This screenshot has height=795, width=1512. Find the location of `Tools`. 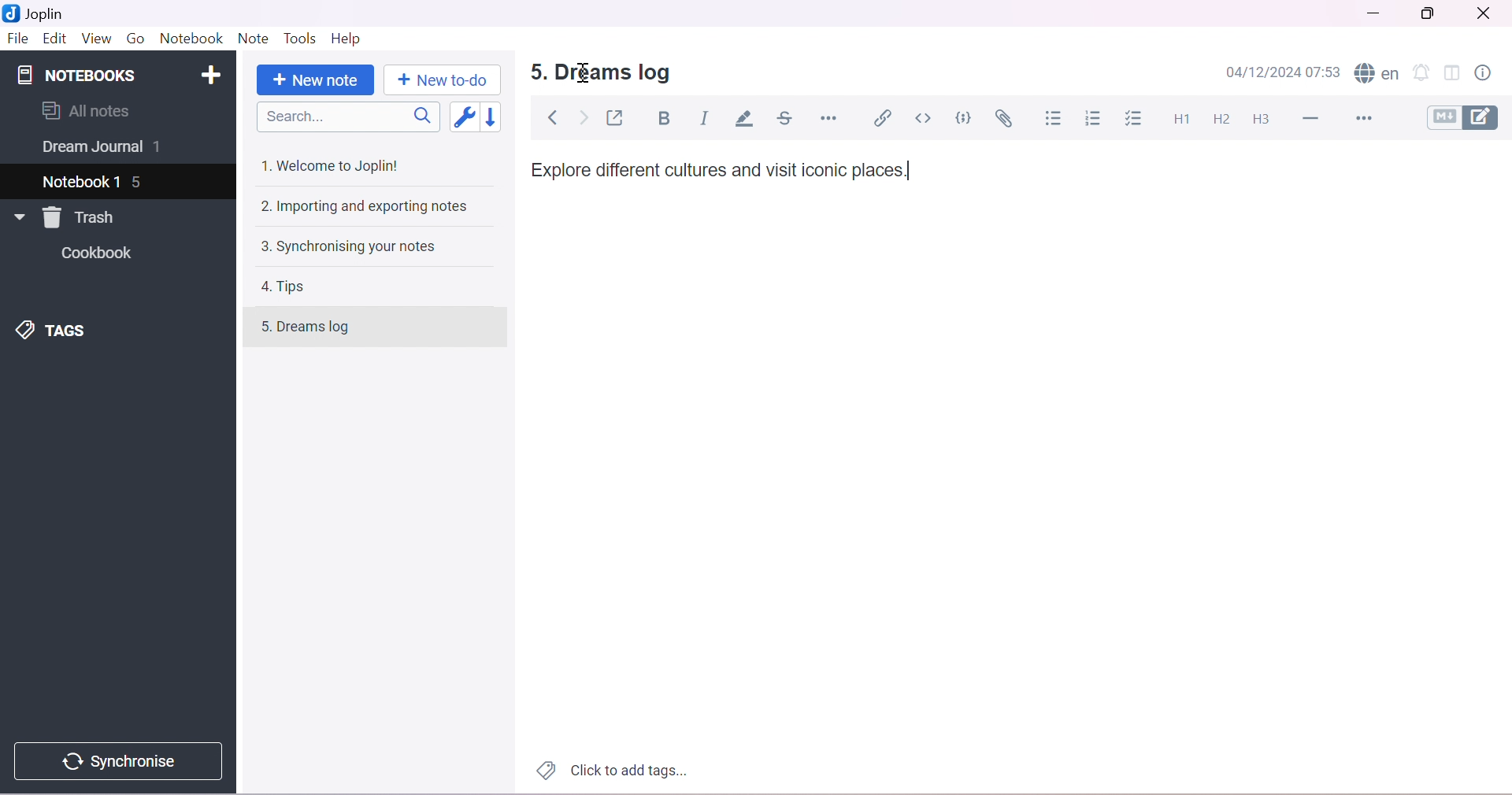

Tools is located at coordinates (302, 39).